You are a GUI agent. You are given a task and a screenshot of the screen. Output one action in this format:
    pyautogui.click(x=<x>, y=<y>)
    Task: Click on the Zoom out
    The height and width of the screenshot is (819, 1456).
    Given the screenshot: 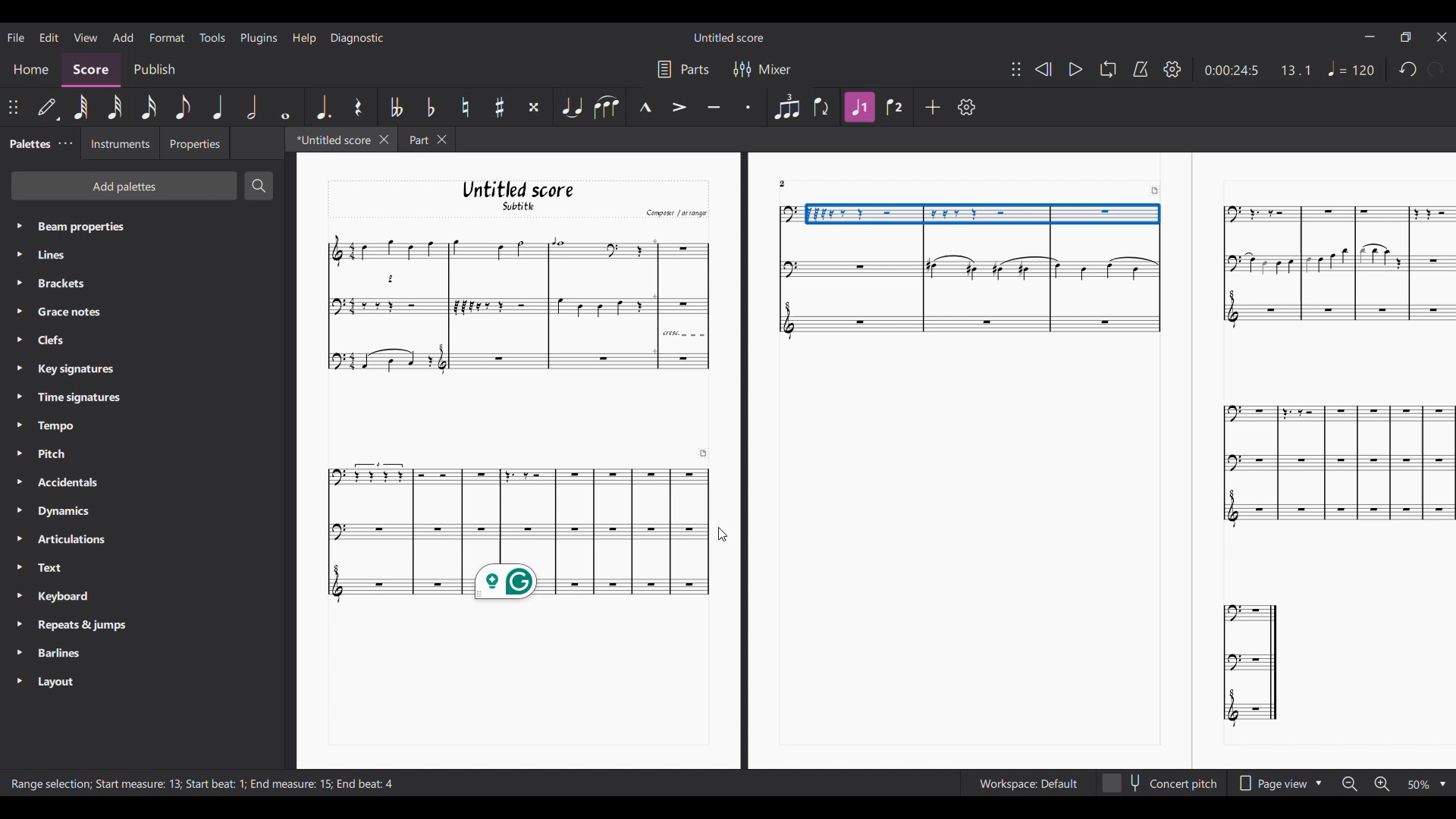 What is the action you would take?
    pyautogui.click(x=1348, y=783)
    